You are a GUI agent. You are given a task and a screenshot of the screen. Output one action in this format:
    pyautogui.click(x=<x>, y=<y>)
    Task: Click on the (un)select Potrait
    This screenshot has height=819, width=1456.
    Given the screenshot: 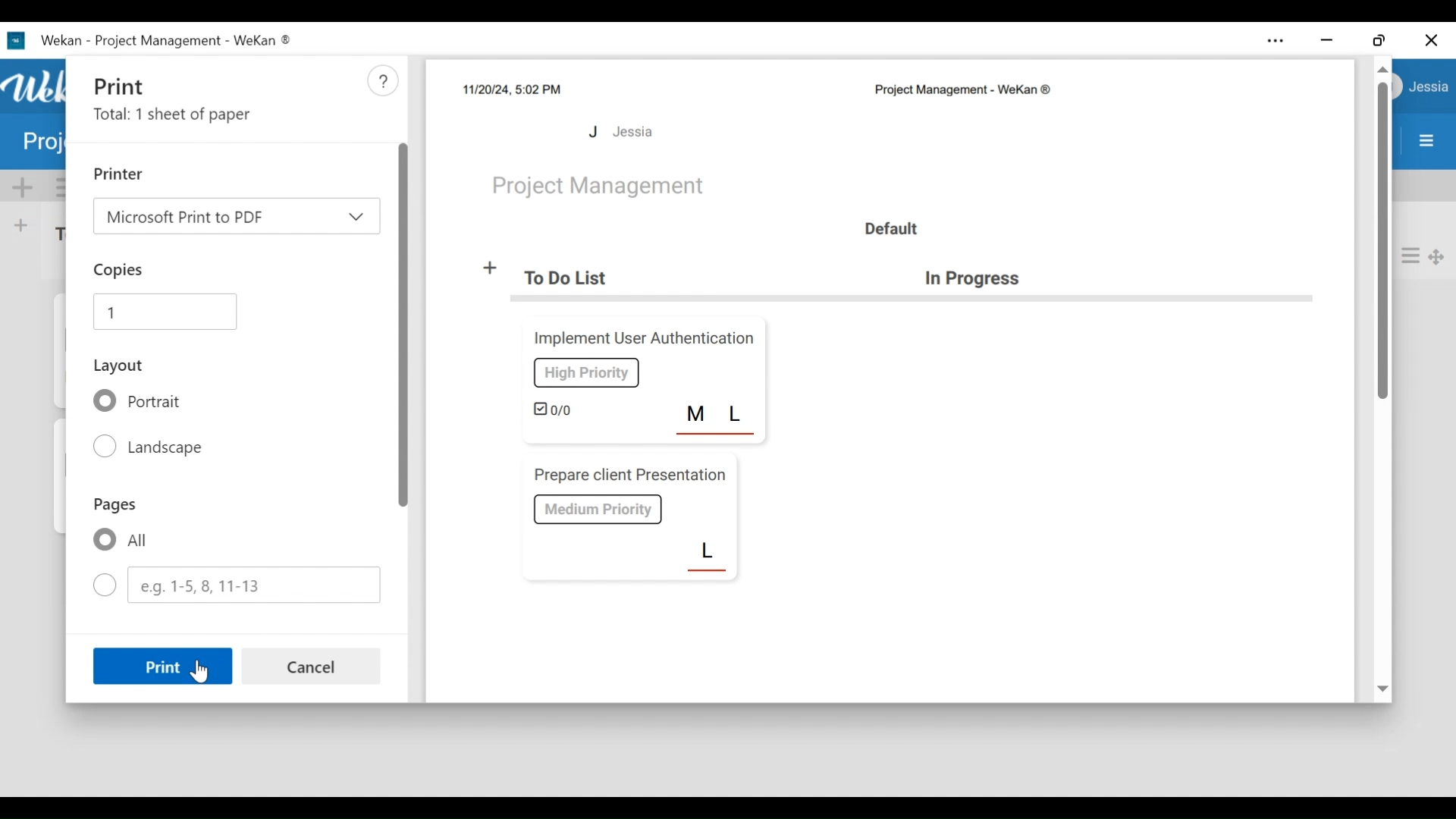 What is the action you would take?
    pyautogui.click(x=142, y=401)
    